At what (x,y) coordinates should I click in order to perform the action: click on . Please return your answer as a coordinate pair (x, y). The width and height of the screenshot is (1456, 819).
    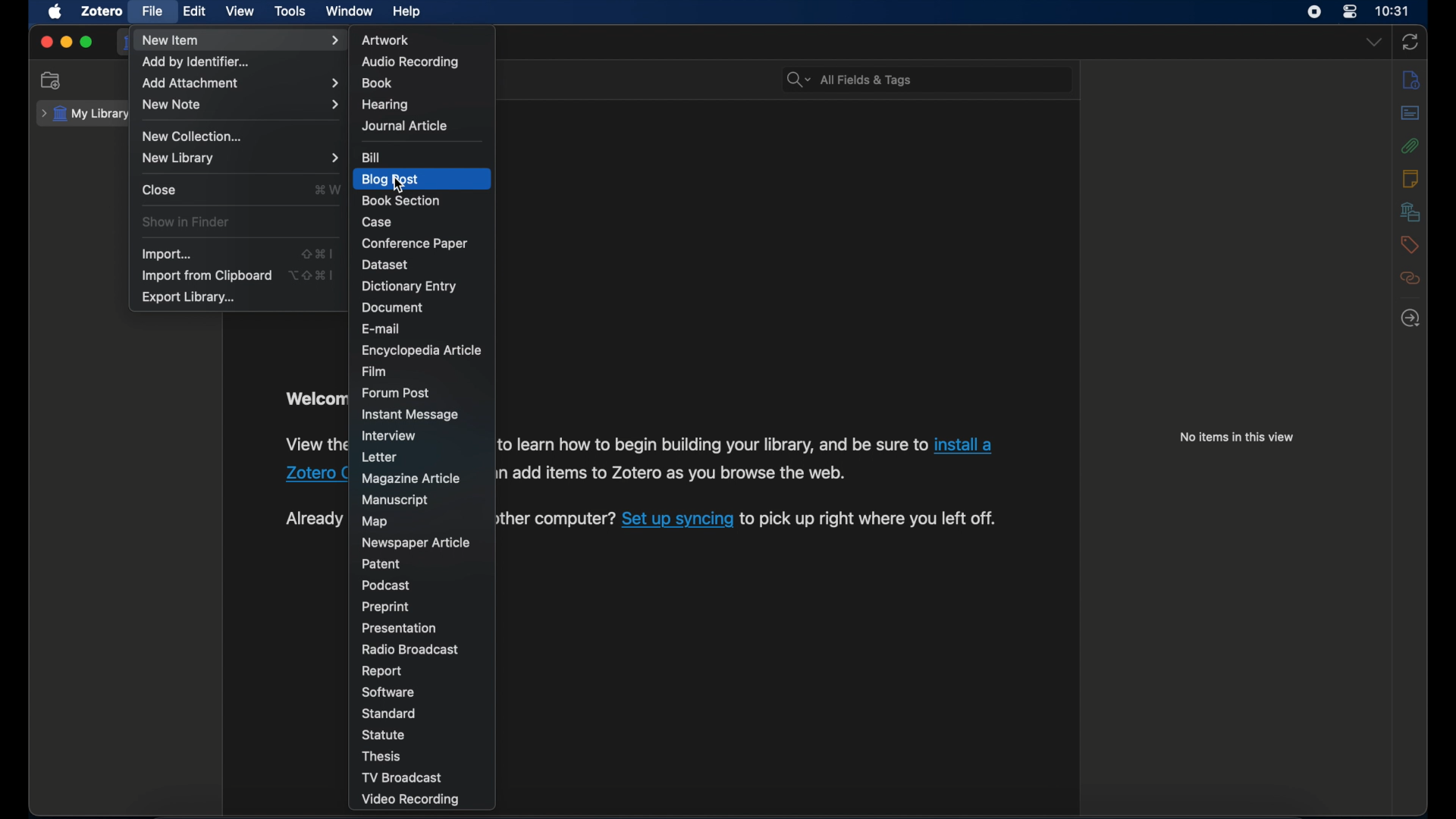
    Looking at the image, I should click on (557, 519).